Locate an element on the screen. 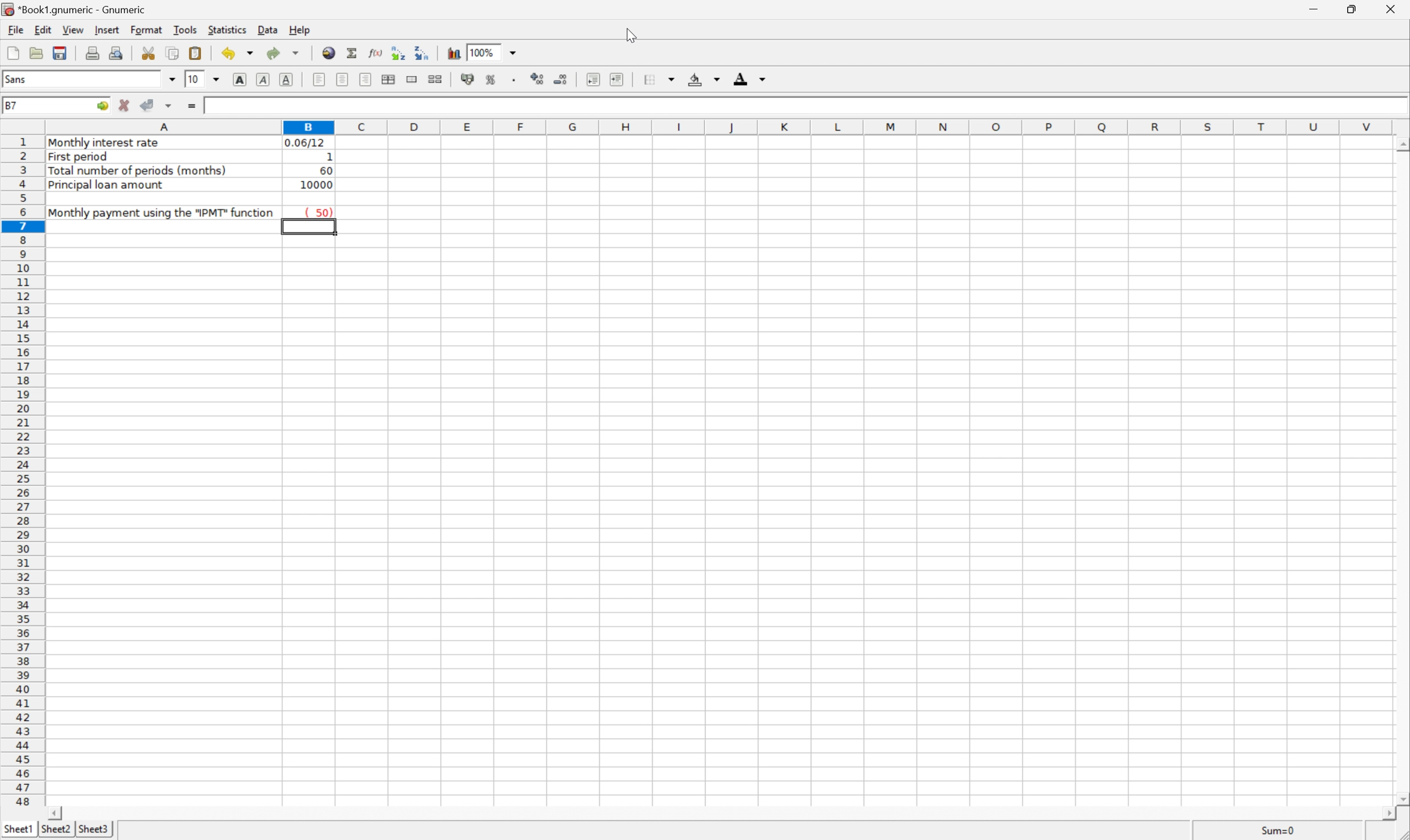  Format the selection as percentage is located at coordinates (491, 79).